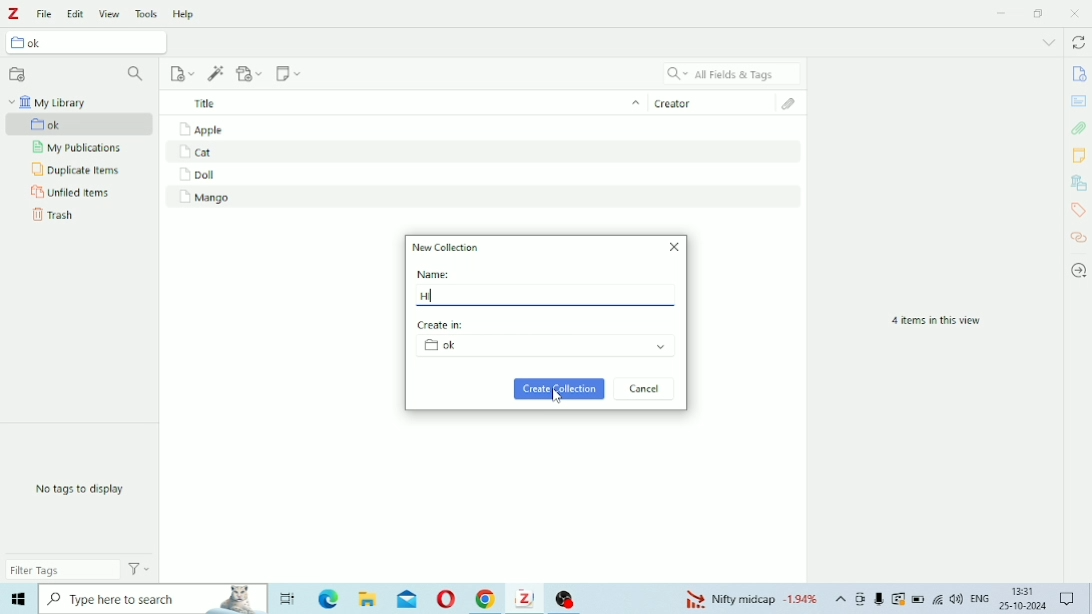 This screenshot has height=614, width=1092. What do you see at coordinates (918, 599) in the screenshot?
I see `Battery` at bounding box center [918, 599].